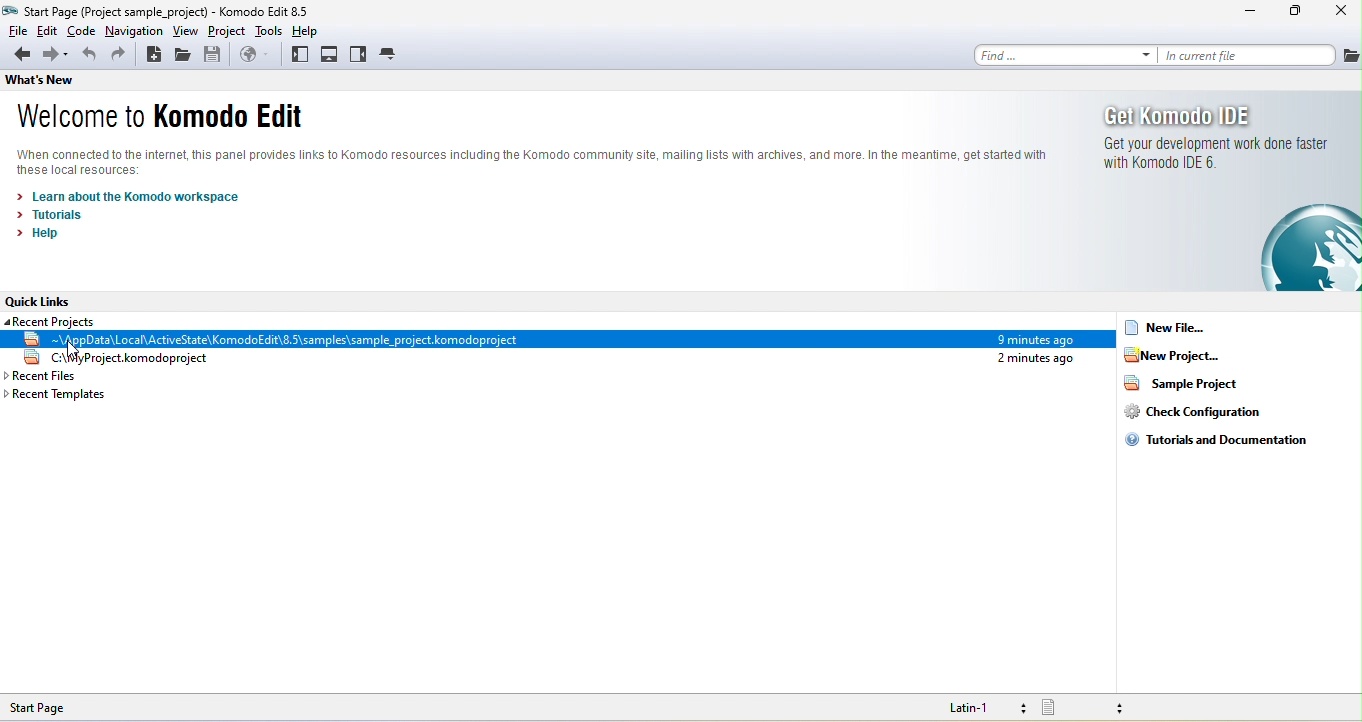  What do you see at coordinates (1065, 54) in the screenshot?
I see `find` at bounding box center [1065, 54].